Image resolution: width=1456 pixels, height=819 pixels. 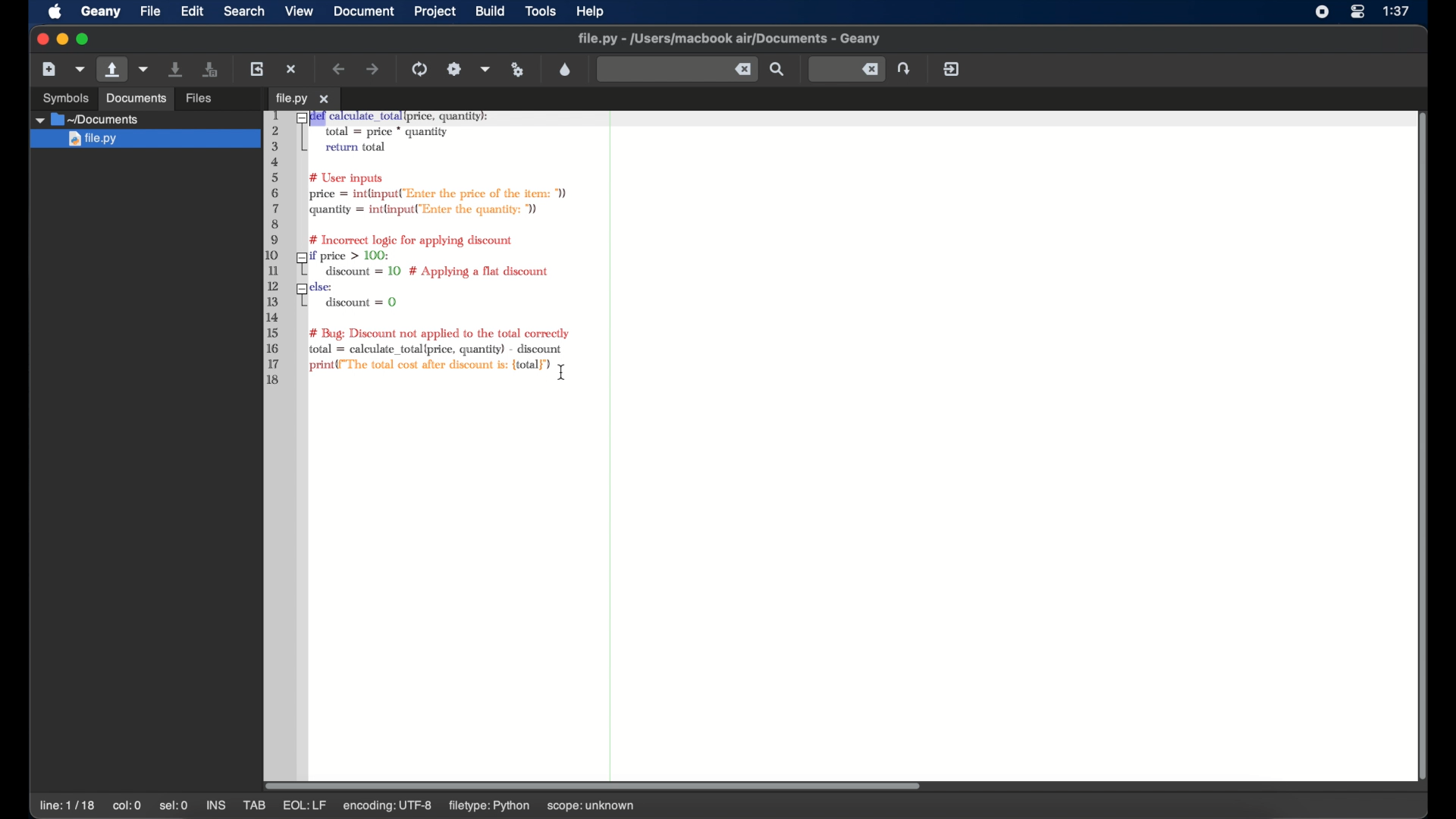 What do you see at coordinates (601, 784) in the screenshot?
I see `scroll bar` at bounding box center [601, 784].